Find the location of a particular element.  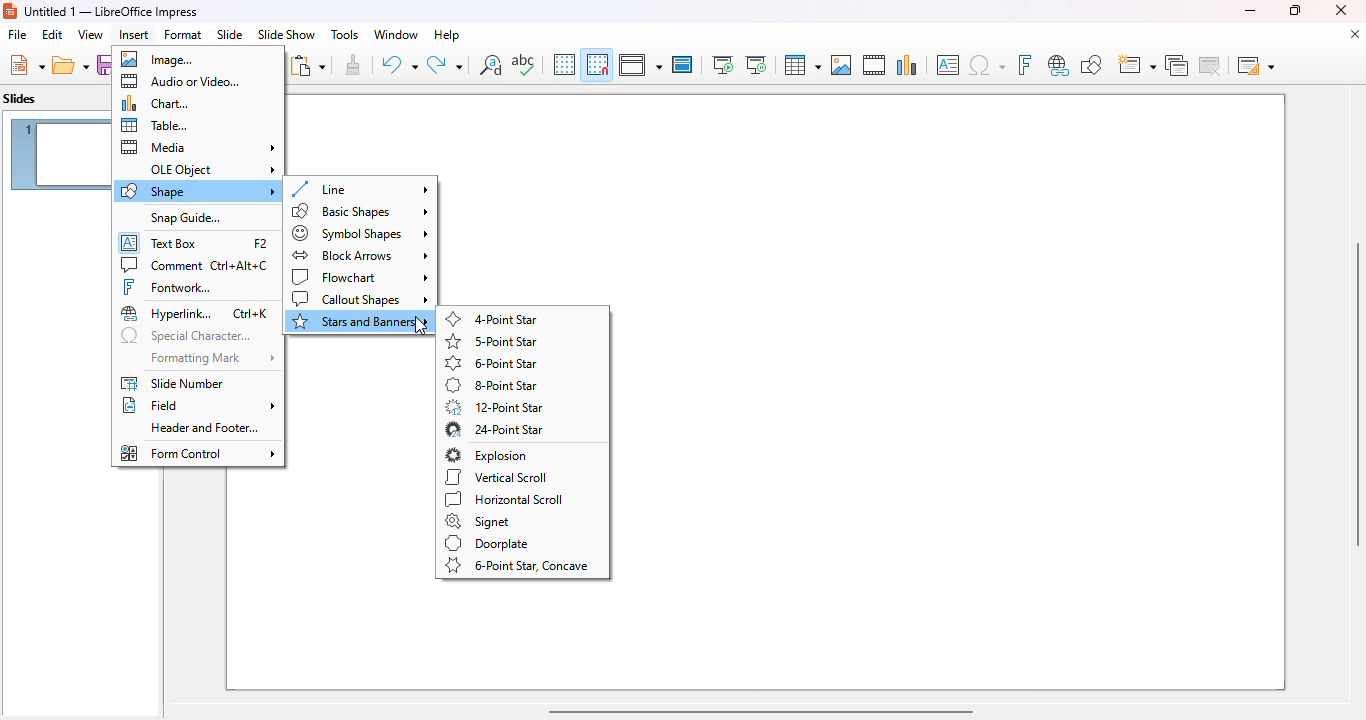

spelling is located at coordinates (523, 64).